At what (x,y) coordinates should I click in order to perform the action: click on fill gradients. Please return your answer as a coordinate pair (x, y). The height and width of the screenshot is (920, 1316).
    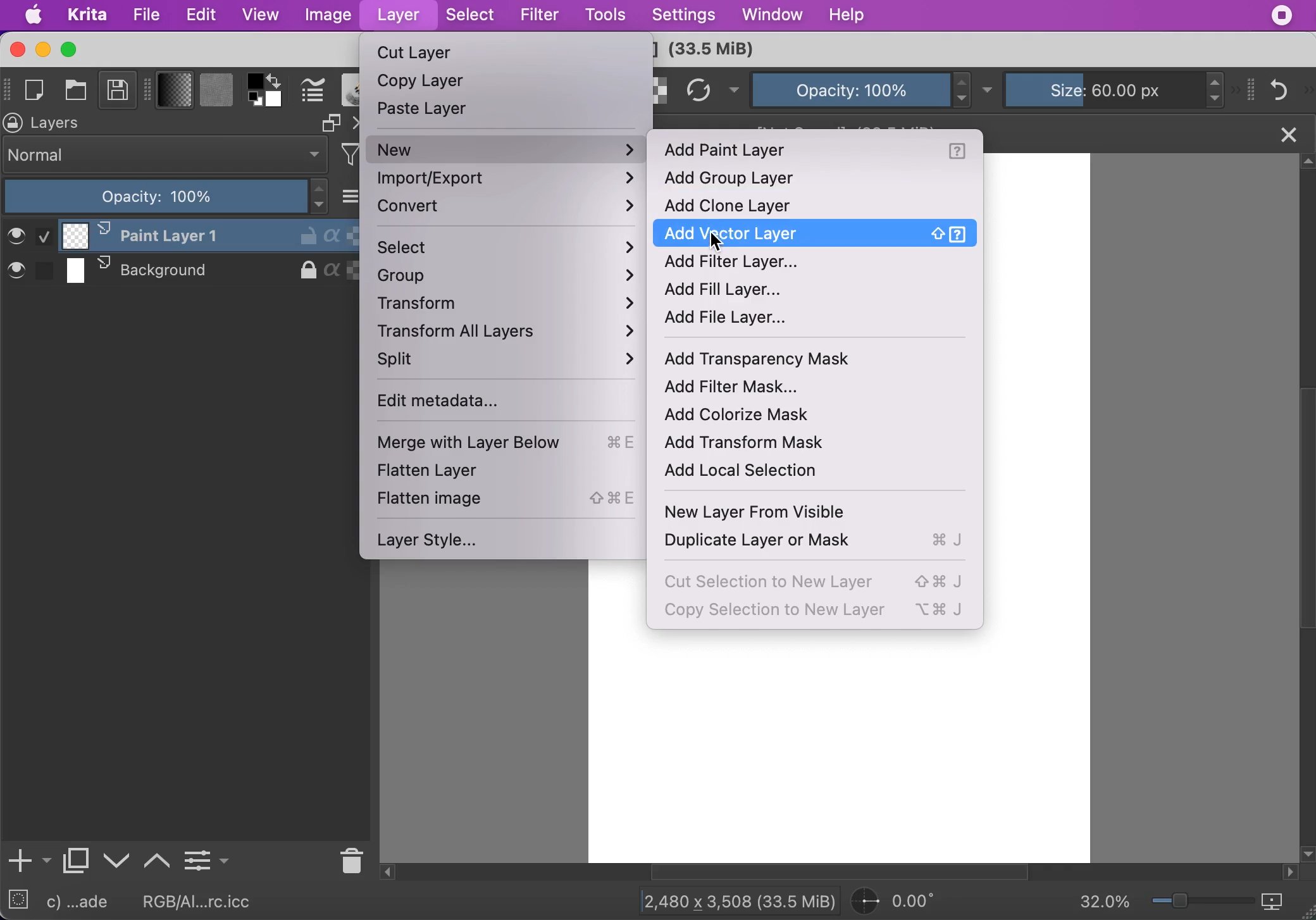
    Looking at the image, I should click on (175, 91).